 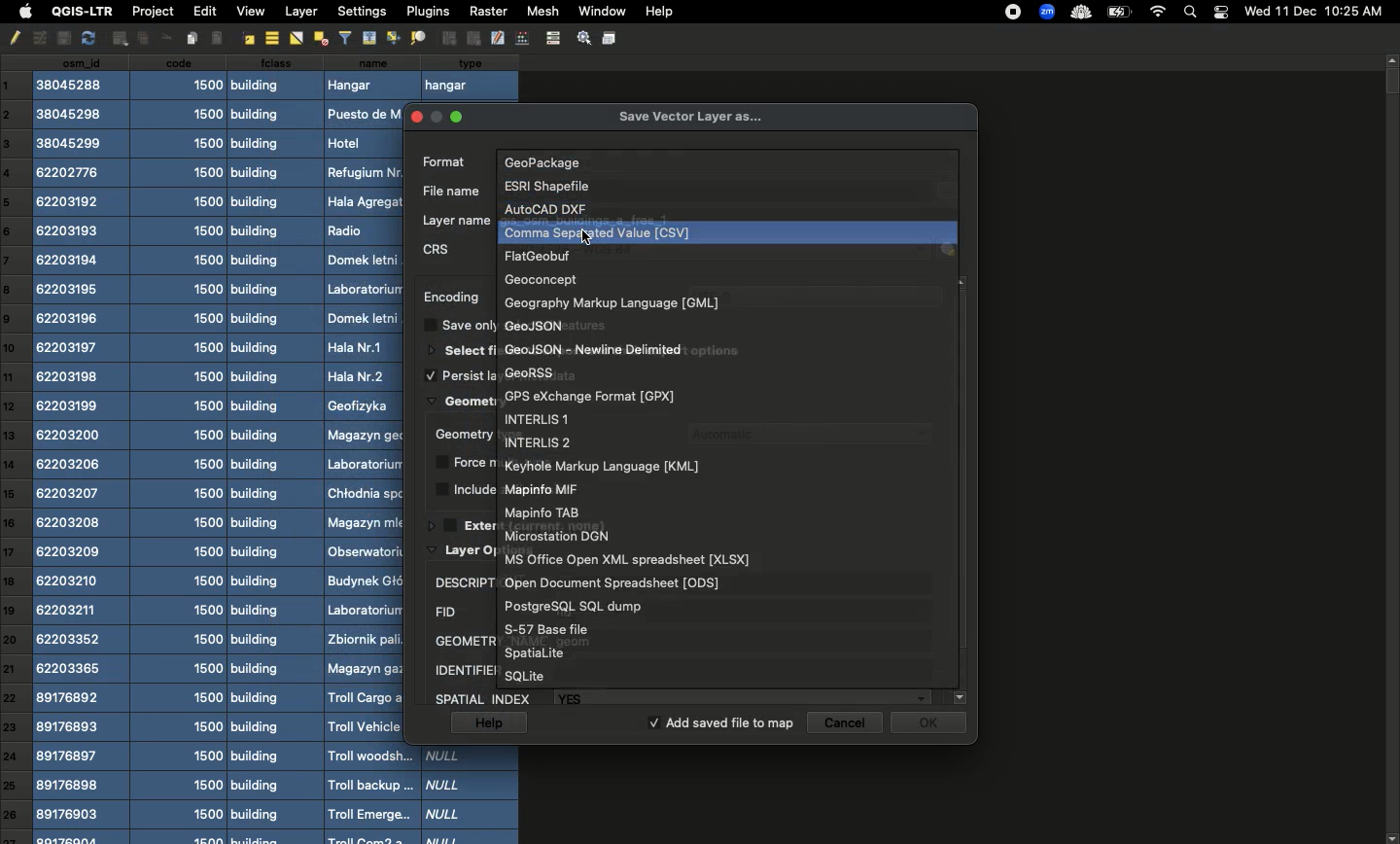 What do you see at coordinates (682, 696) in the screenshot?
I see `Spatial index` at bounding box center [682, 696].